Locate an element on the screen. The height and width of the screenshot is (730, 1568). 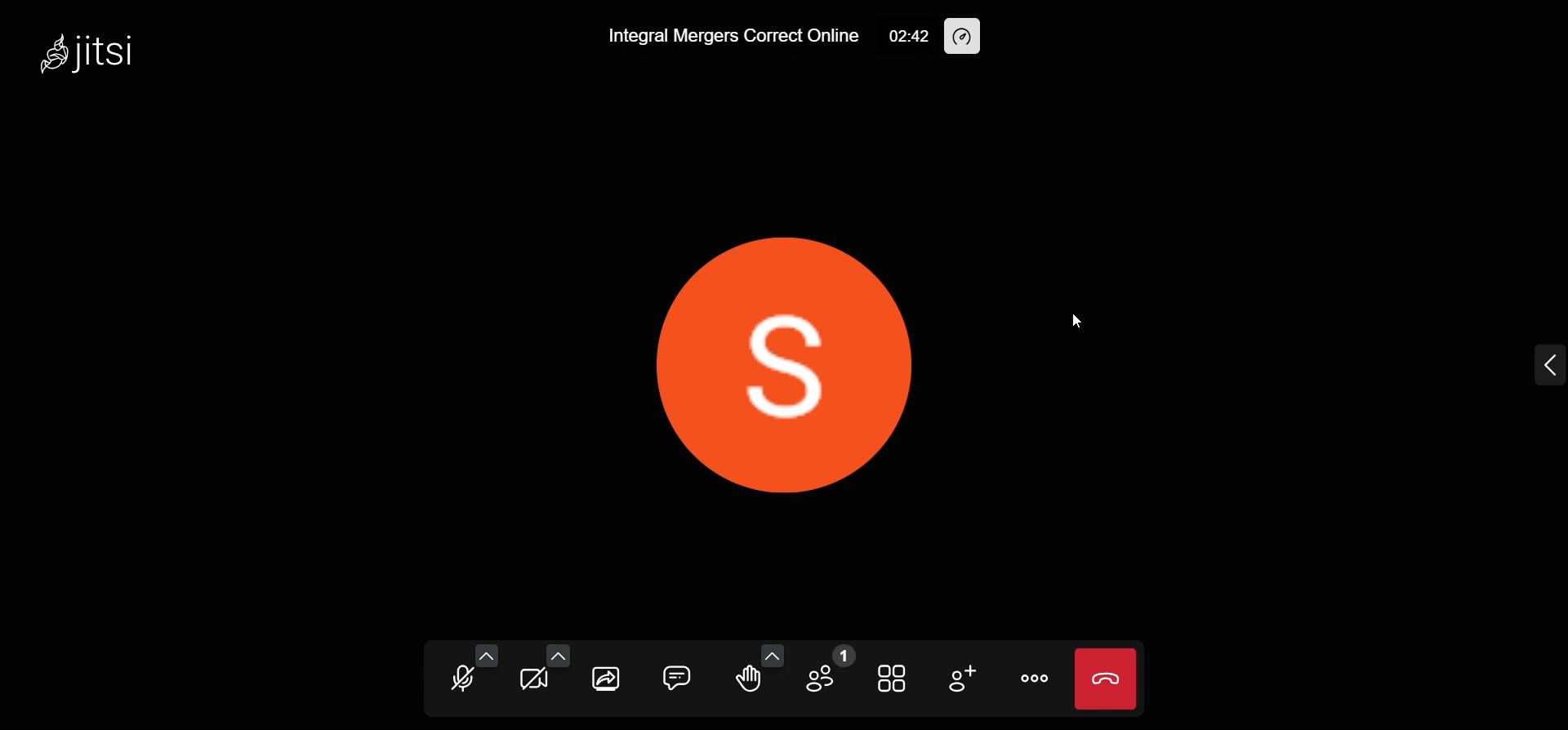
start camera is located at coordinates (533, 682).